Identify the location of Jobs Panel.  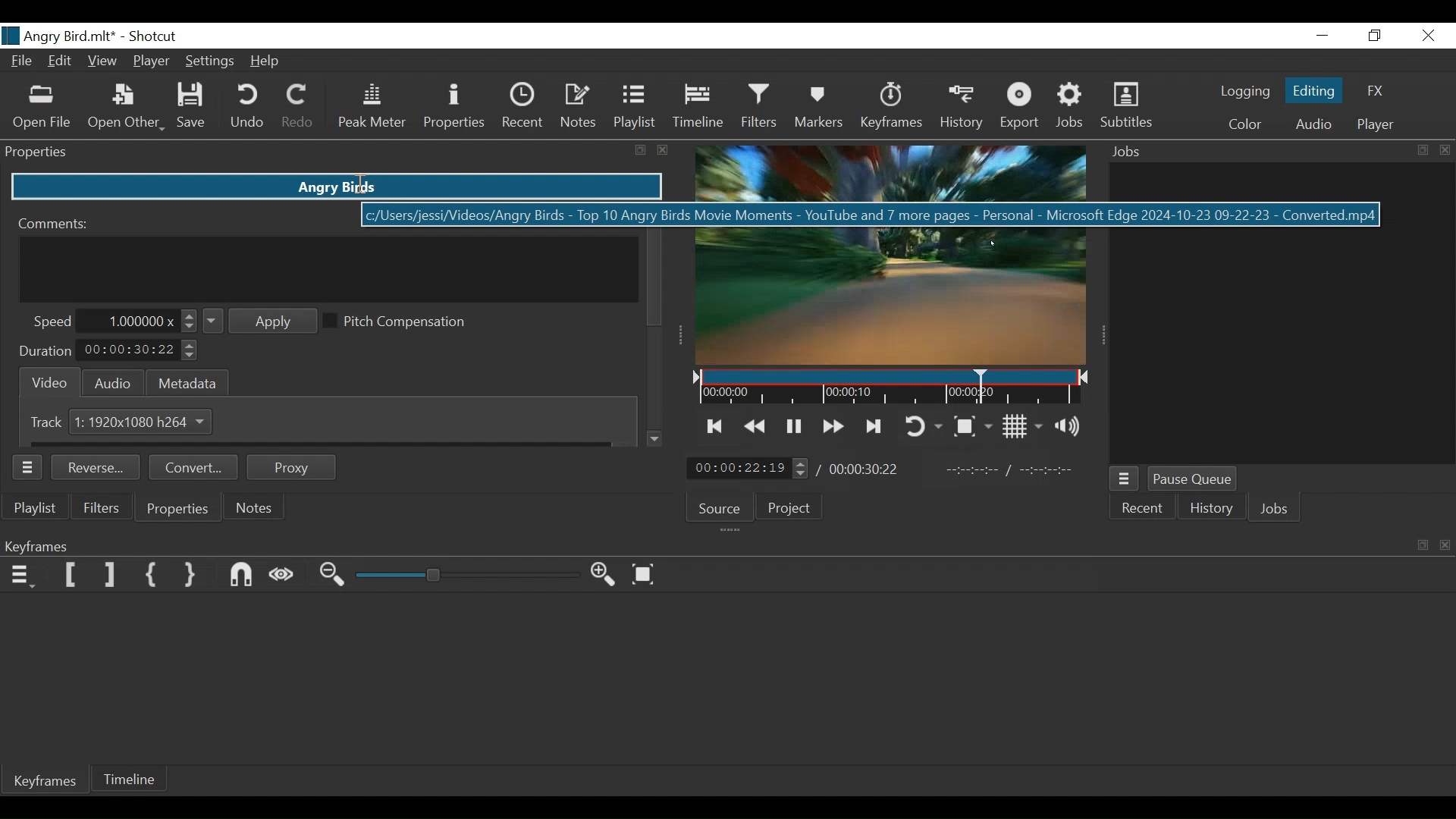
(1275, 152).